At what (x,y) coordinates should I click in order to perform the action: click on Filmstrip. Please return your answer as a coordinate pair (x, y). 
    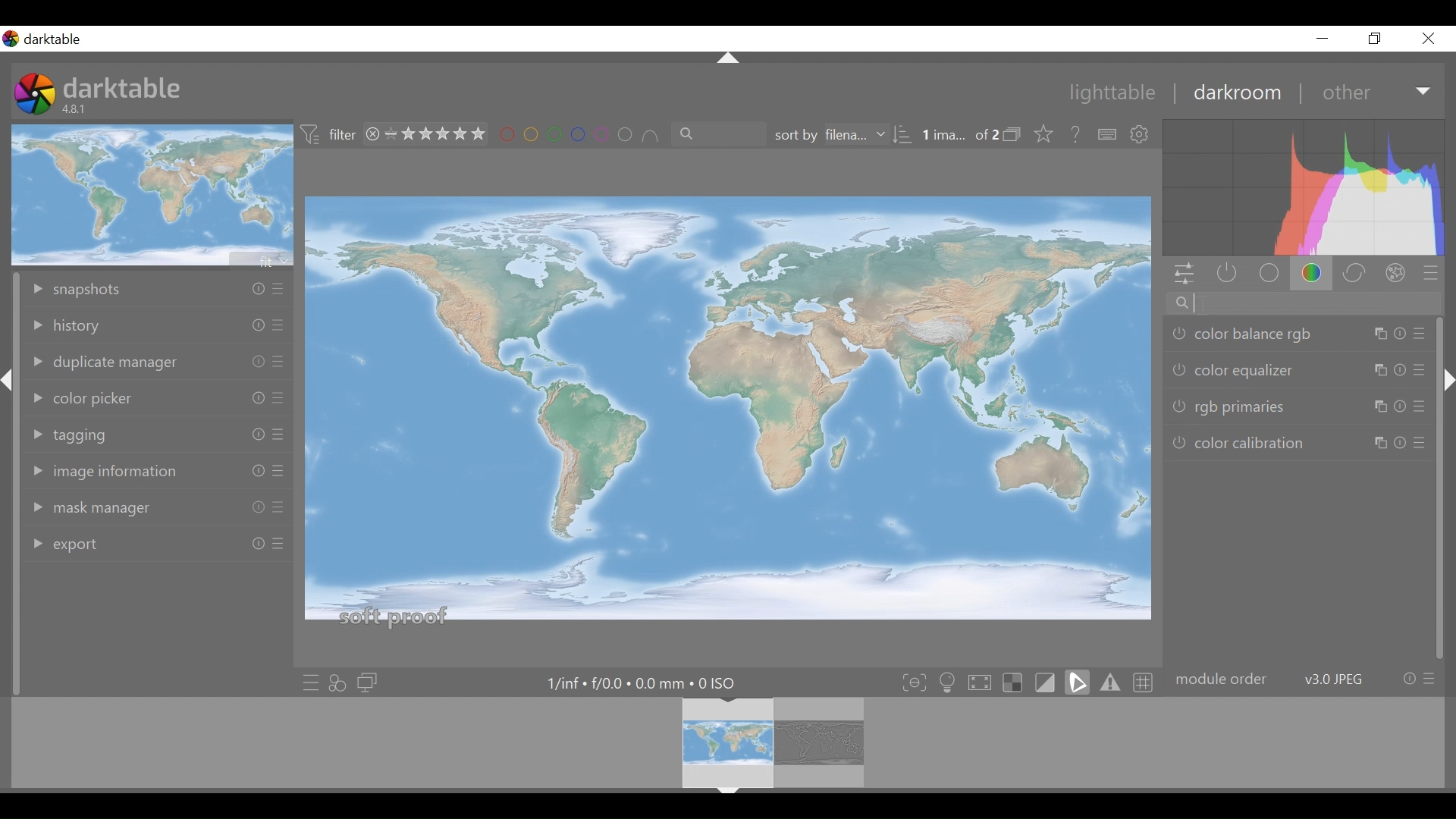
    Looking at the image, I should click on (722, 744).